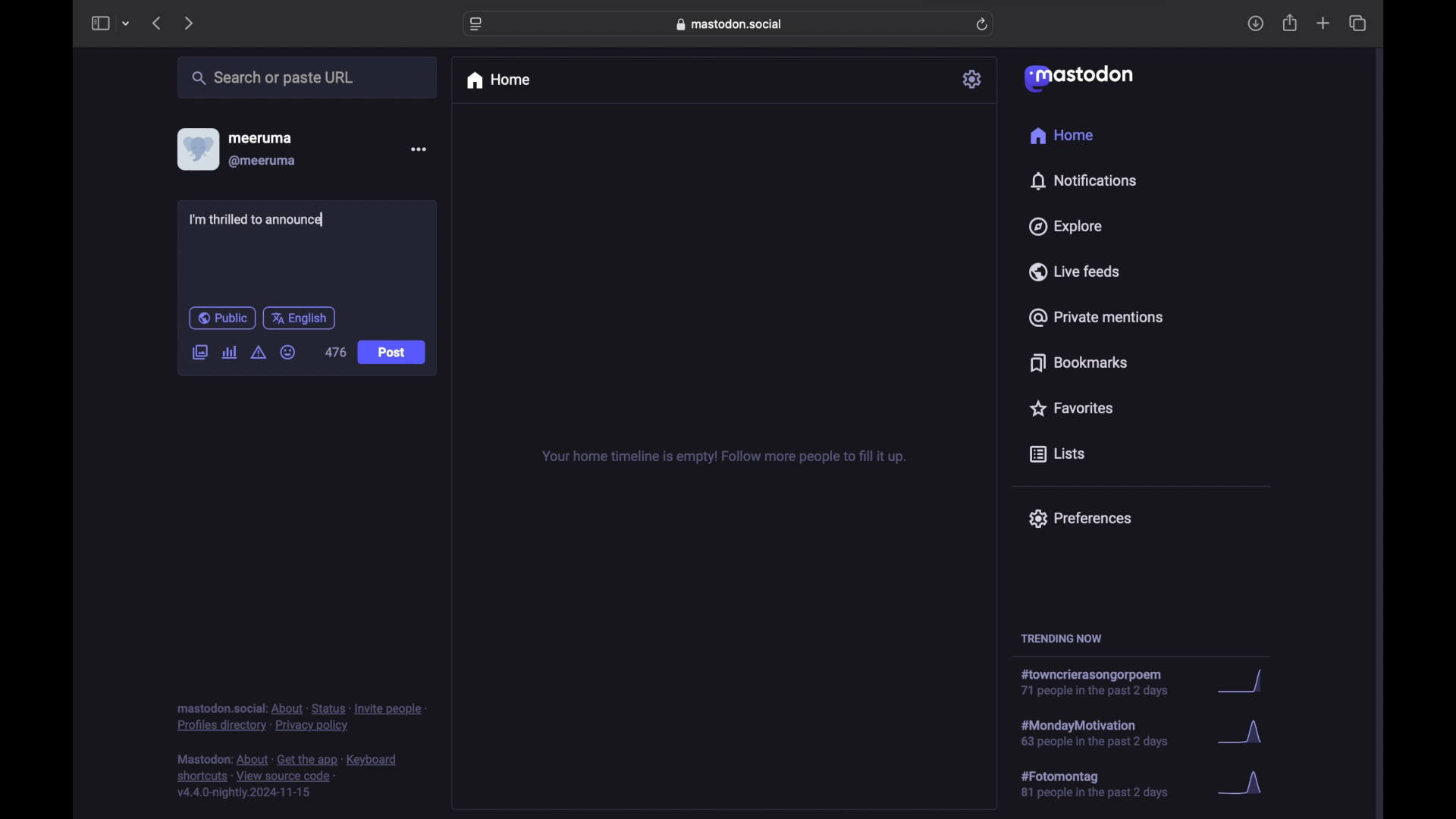  Describe the element at coordinates (99, 23) in the screenshot. I see `side bar` at that location.